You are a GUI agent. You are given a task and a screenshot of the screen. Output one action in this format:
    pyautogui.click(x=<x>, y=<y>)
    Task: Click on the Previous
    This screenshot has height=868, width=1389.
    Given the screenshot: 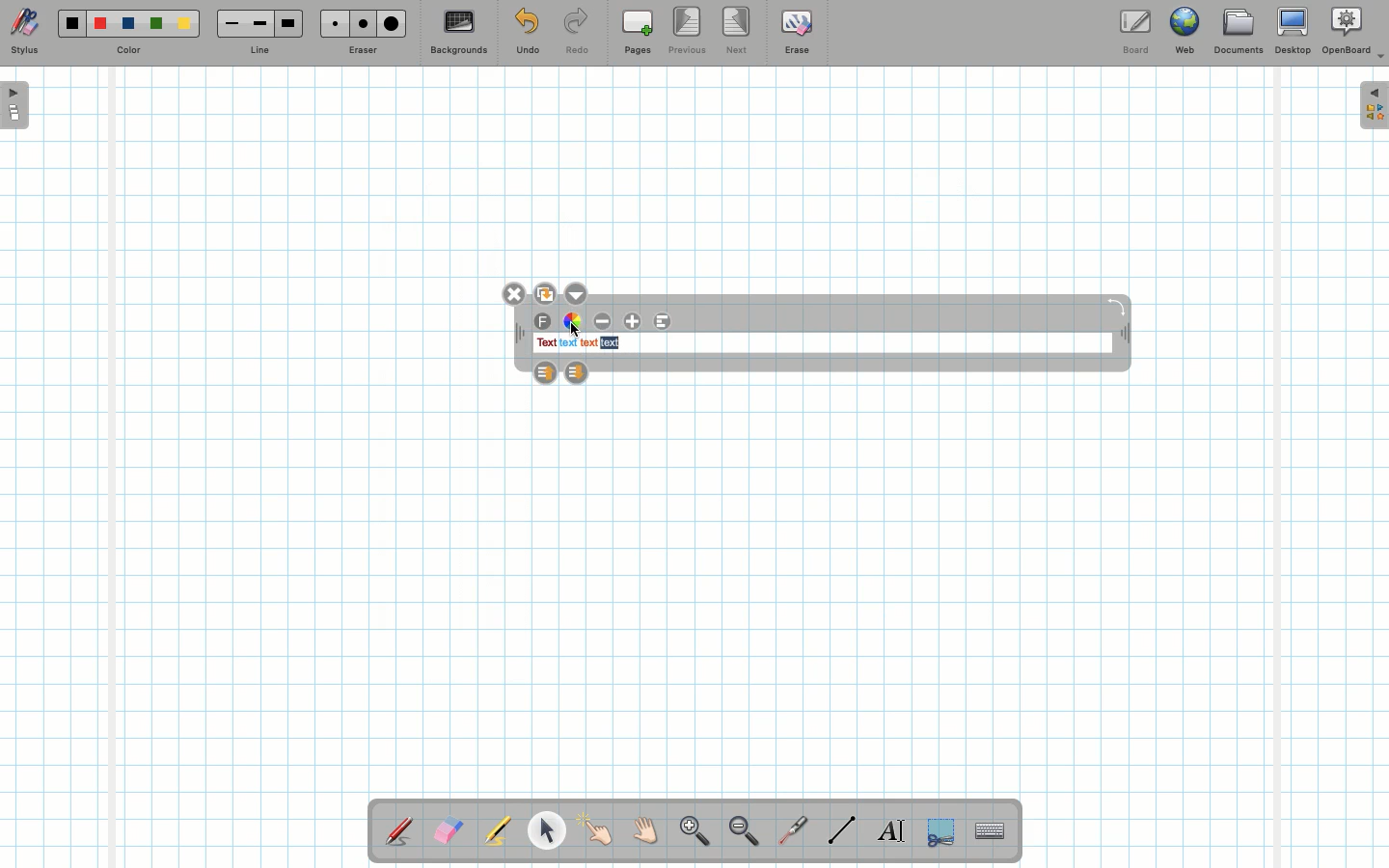 What is the action you would take?
    pyautogui.click(x=689, y=32)
    